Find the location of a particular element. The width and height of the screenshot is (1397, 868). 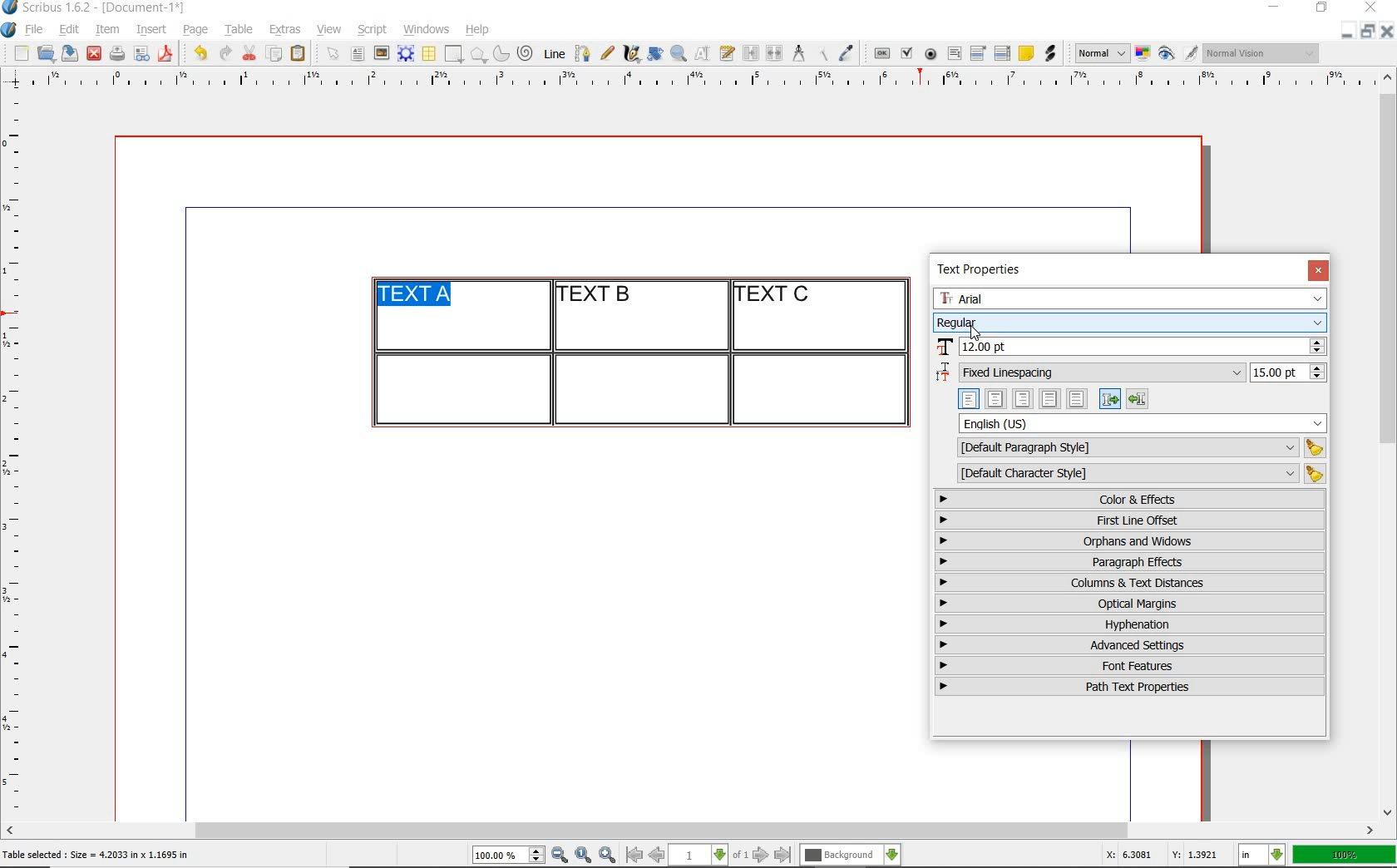

text properties is located at coordinates (978, 272).